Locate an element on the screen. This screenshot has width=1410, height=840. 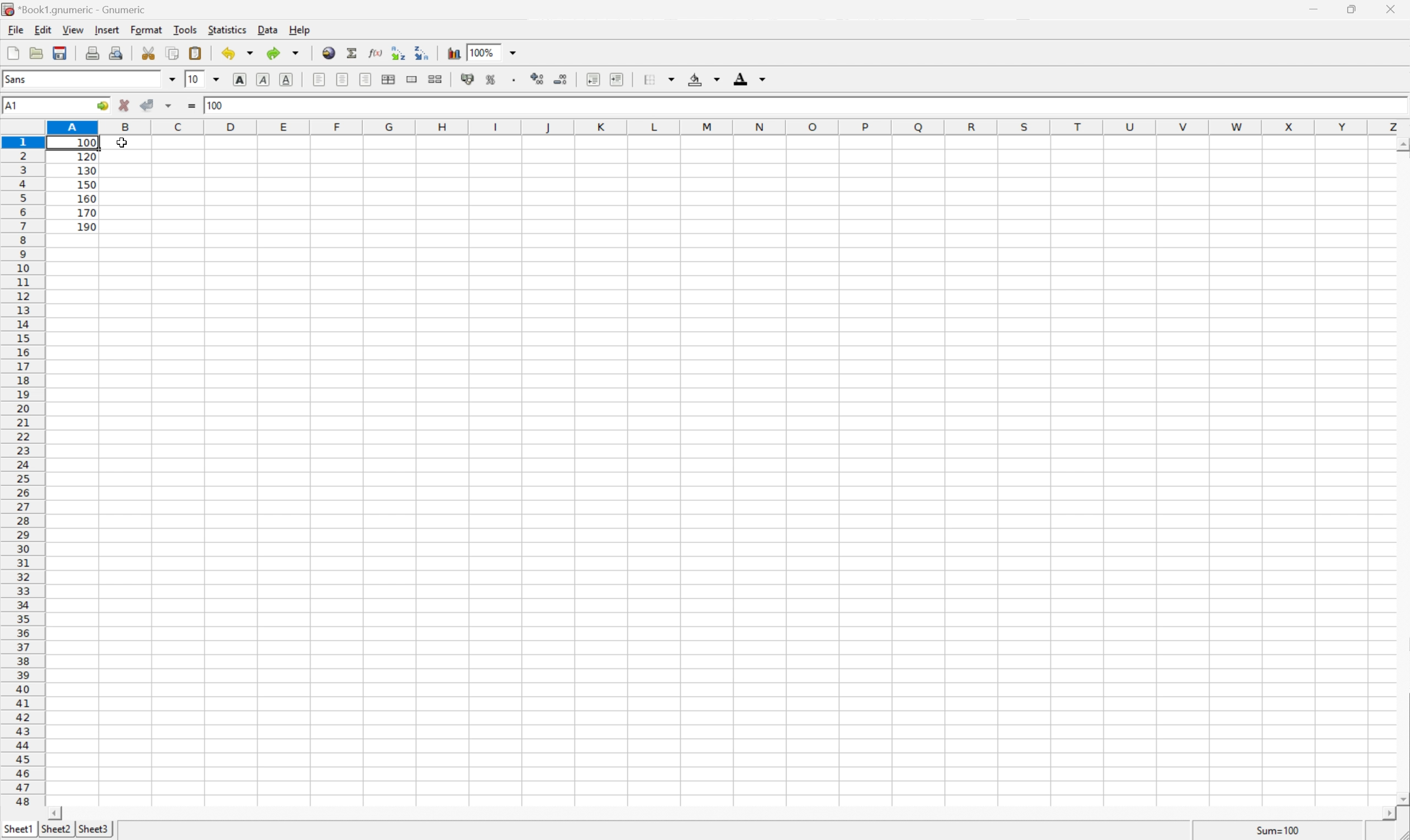
Set the format of the selected cells to include a thousands separator is located at coordinates (516, 79).